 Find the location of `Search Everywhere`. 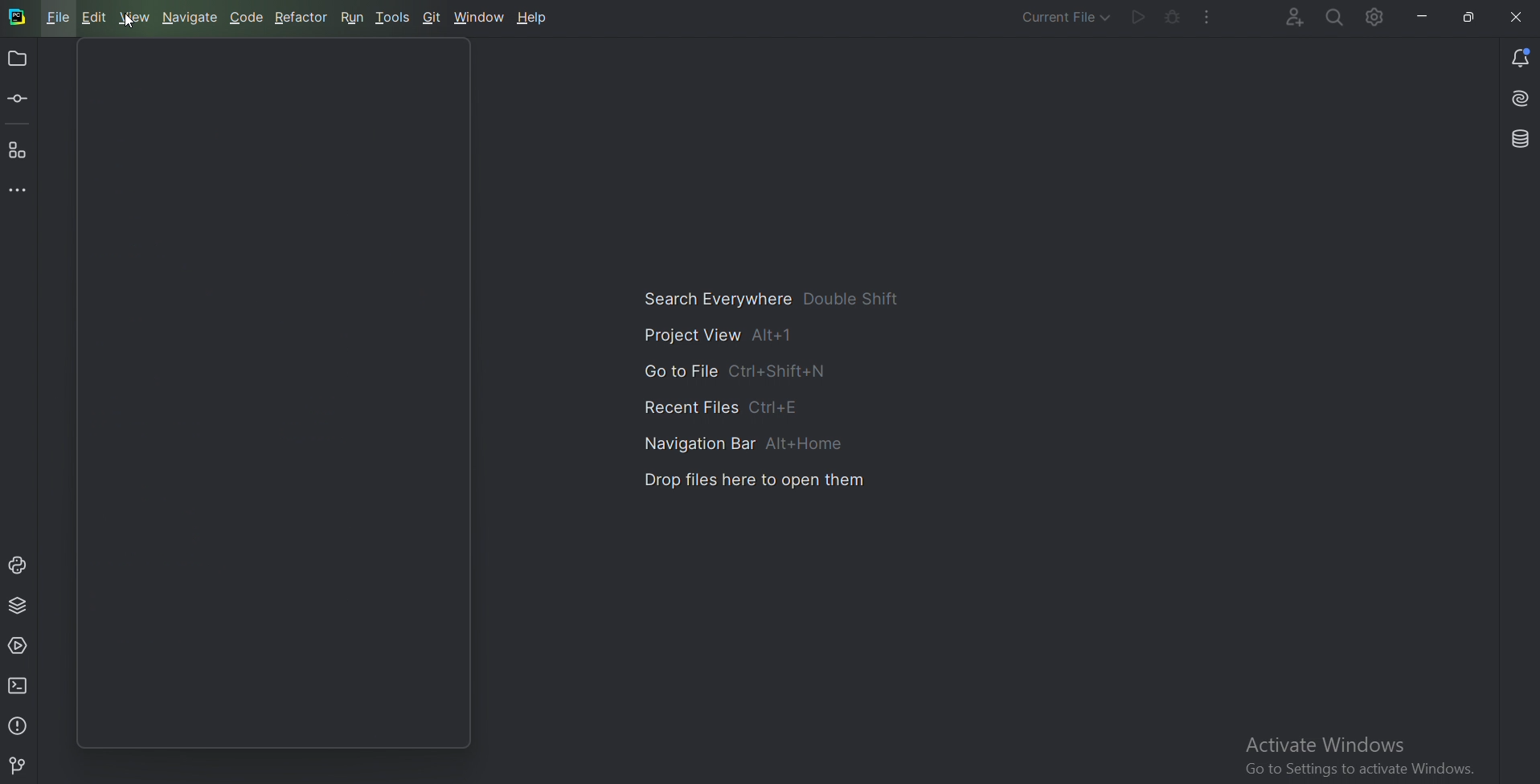

Search Everywhere is located at coordinates (1334, 17).